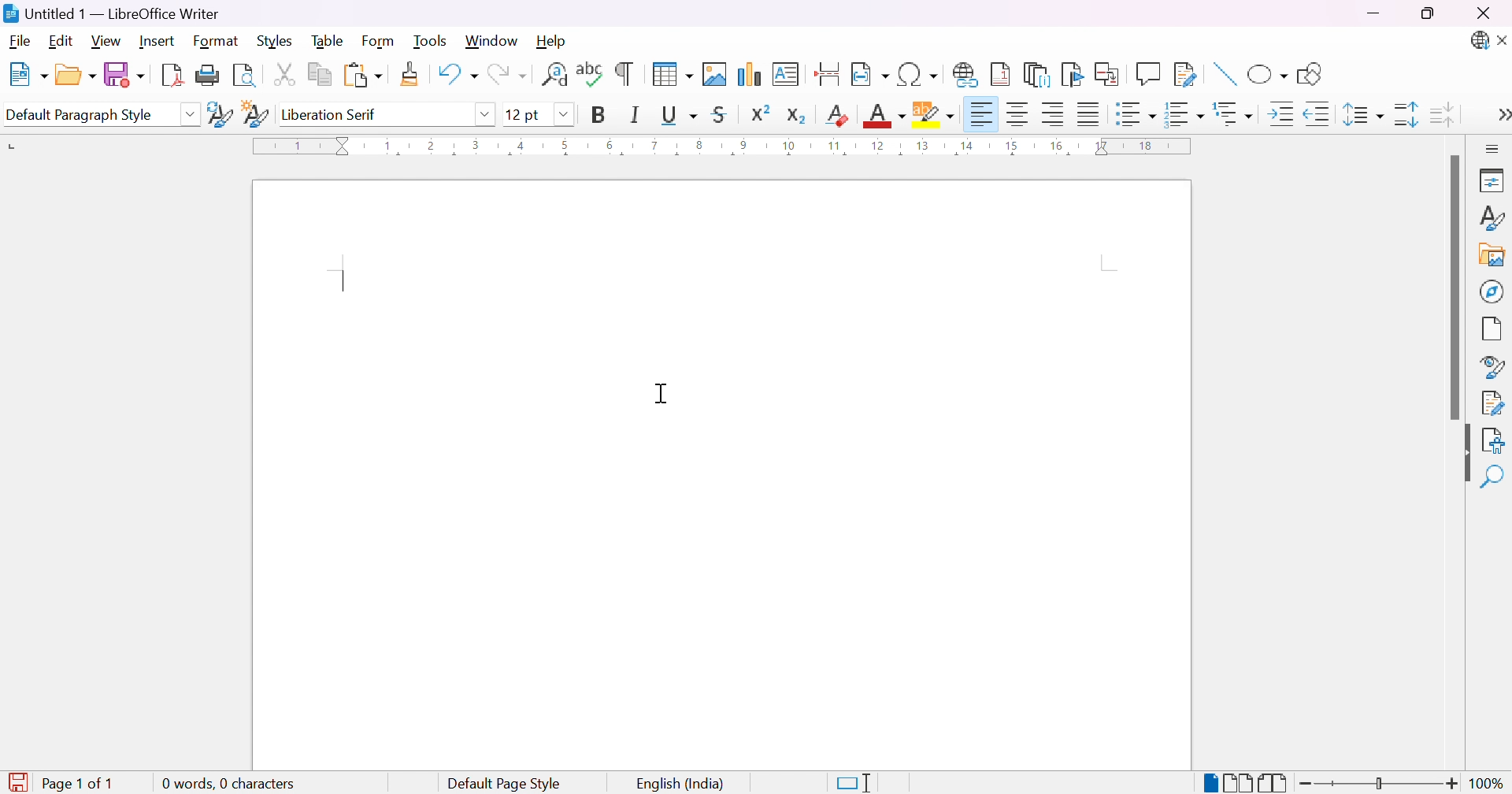 The height and width of the screenshot is (794, 1512). I want to click on Align left, so click(981, 116).